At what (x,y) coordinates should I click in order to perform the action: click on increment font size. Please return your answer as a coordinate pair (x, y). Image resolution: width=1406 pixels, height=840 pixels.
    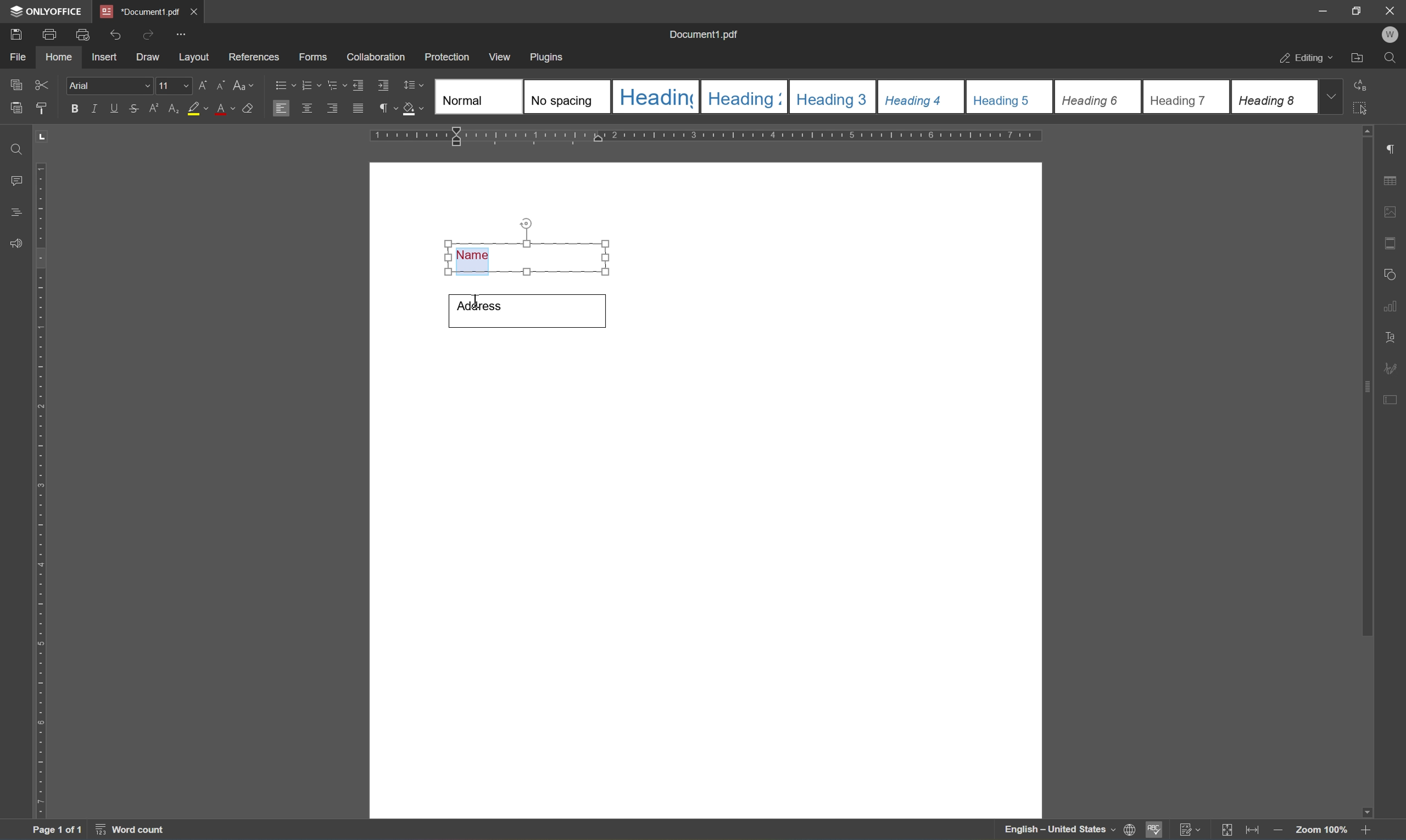
    Looking at the image, I should click on (203, 84).